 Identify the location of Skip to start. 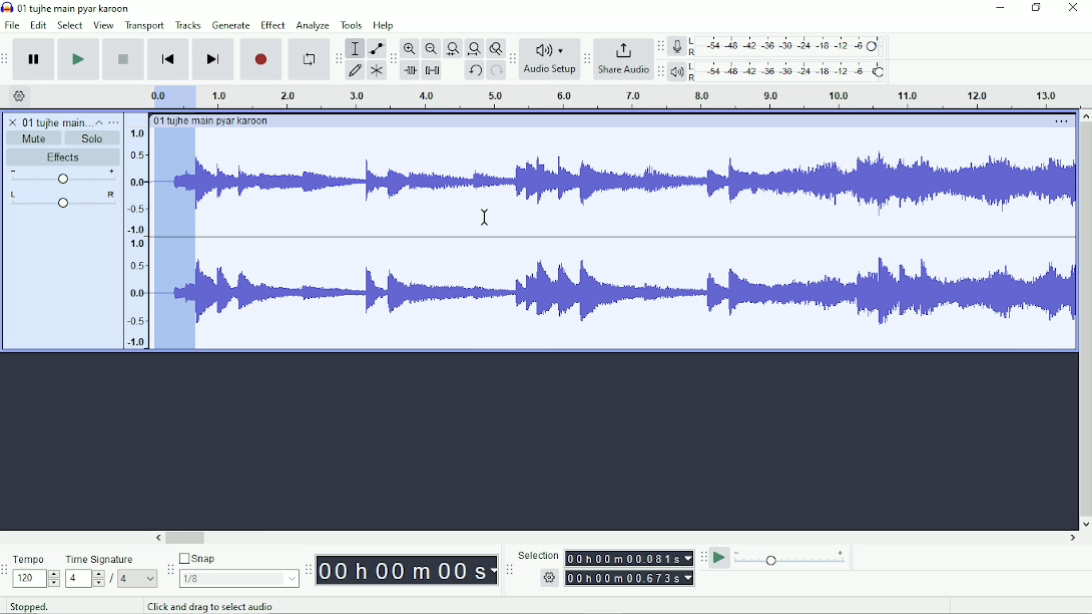
(168, 60).